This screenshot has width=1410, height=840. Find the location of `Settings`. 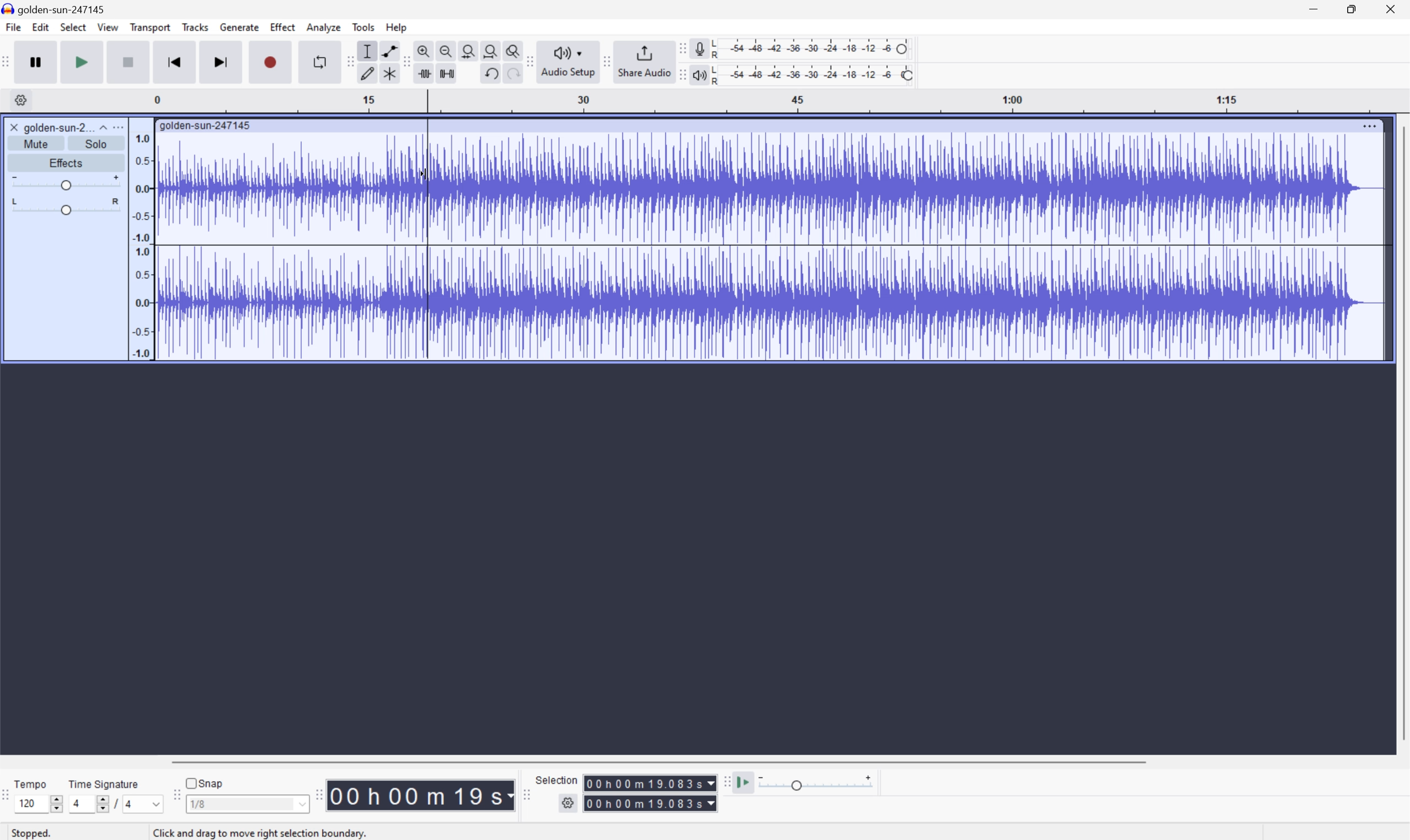

Settings is located at coordinates (570, 803).